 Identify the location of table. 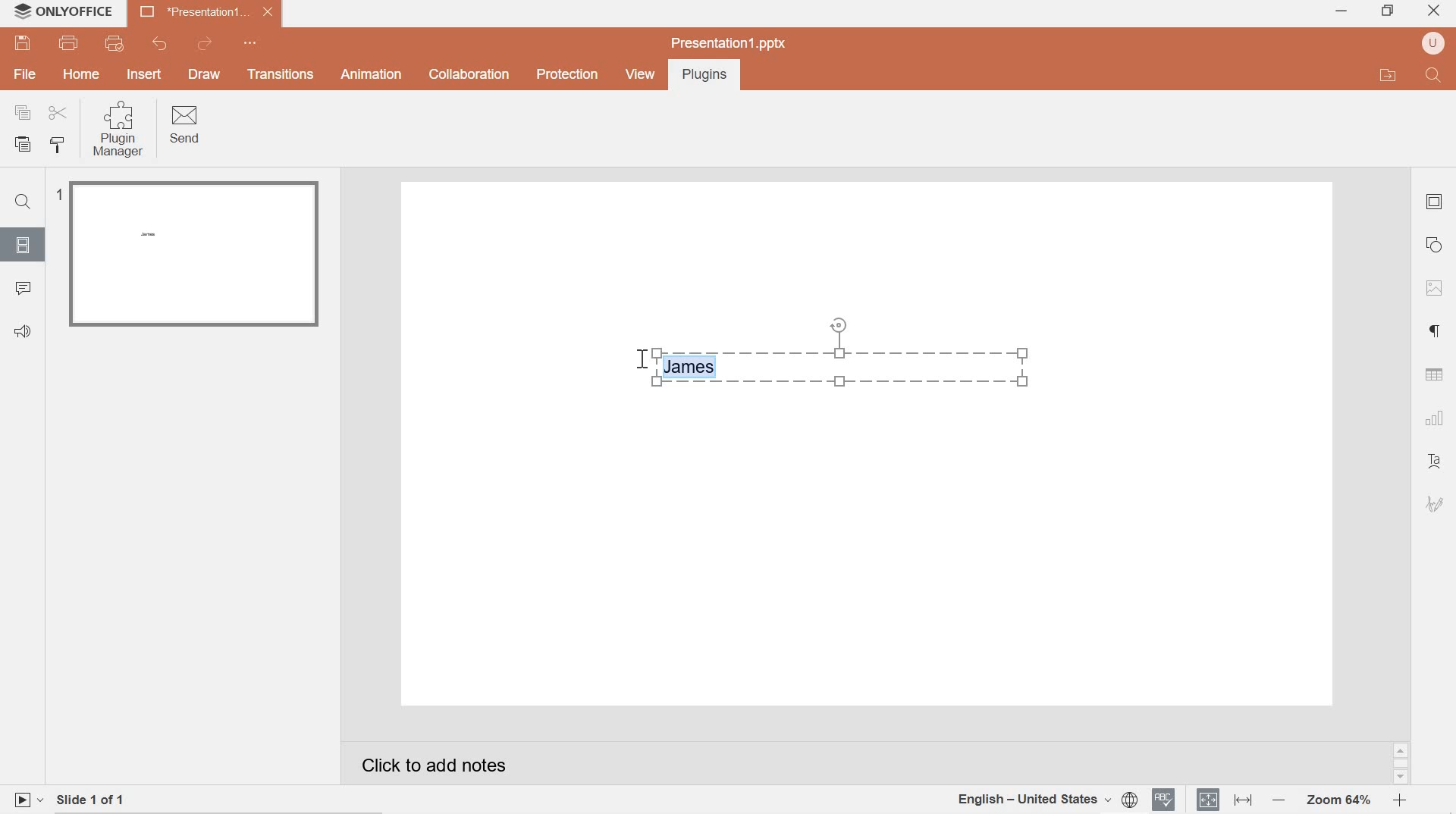
(1435, 374).